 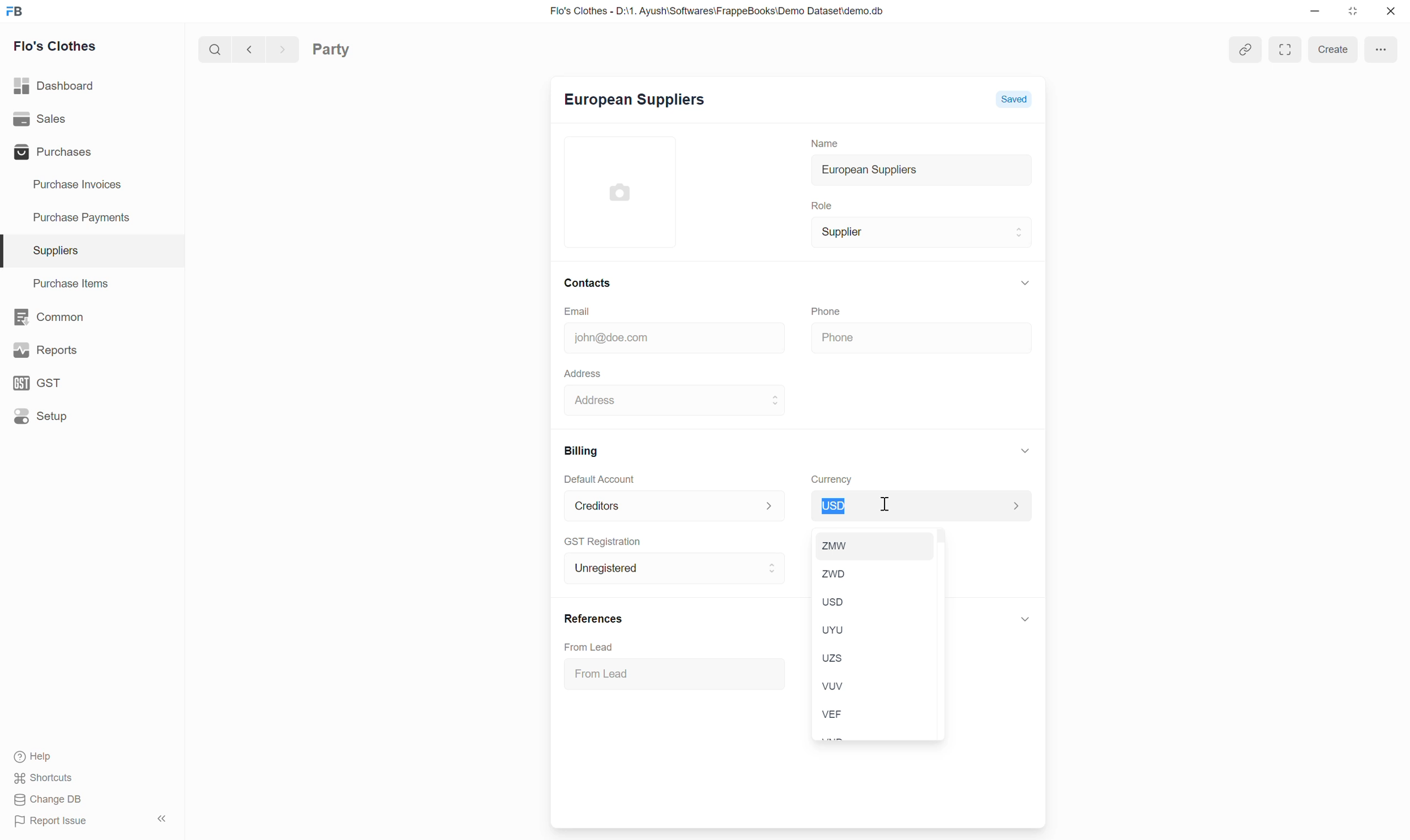 I want to click on Purchase Invoices, so click(x=74, y=181).